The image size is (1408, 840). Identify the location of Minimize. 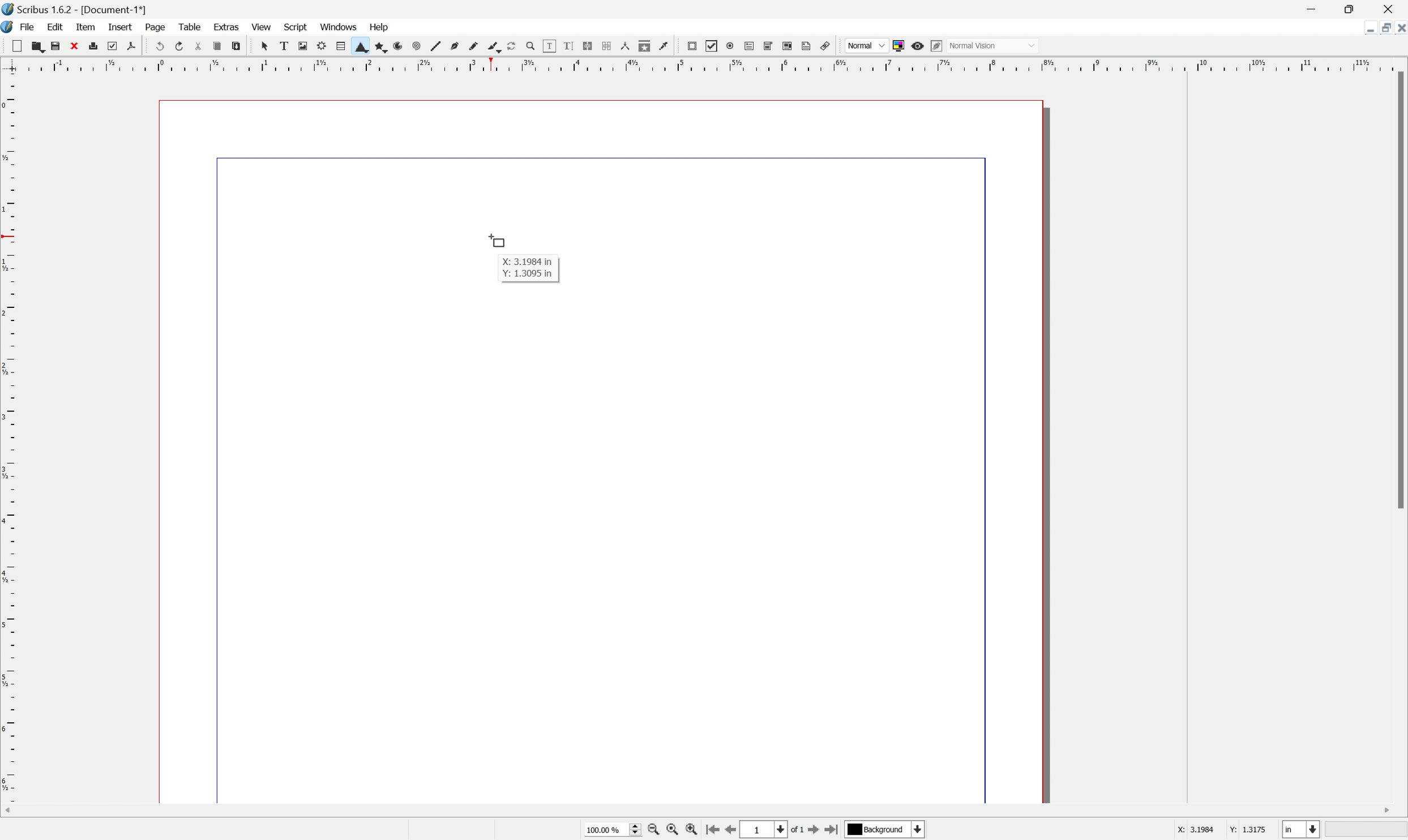
(1313, 7).